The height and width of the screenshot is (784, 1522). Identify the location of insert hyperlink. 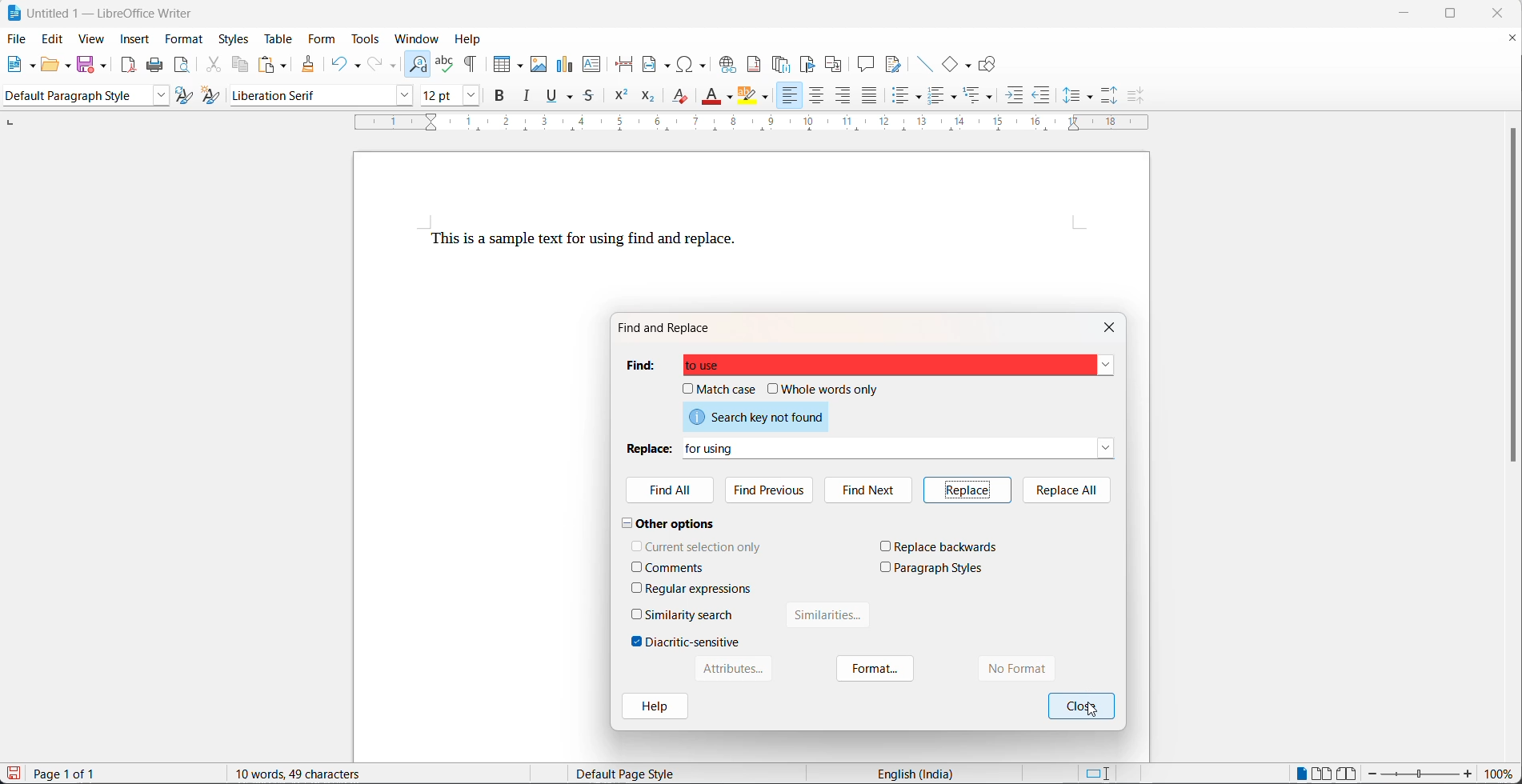
(729, 64).